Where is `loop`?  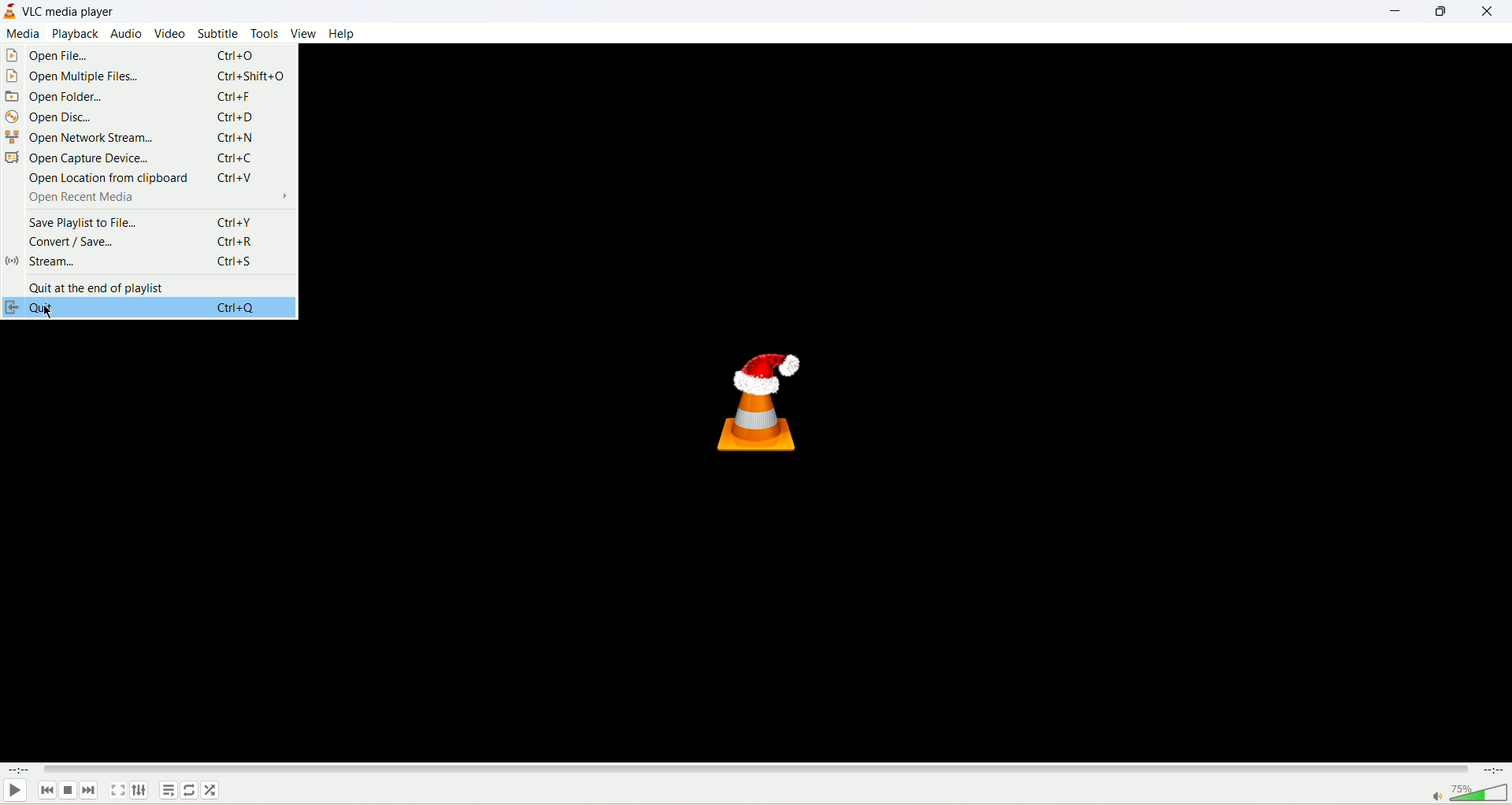 loop is located at coordinates (190, 792).